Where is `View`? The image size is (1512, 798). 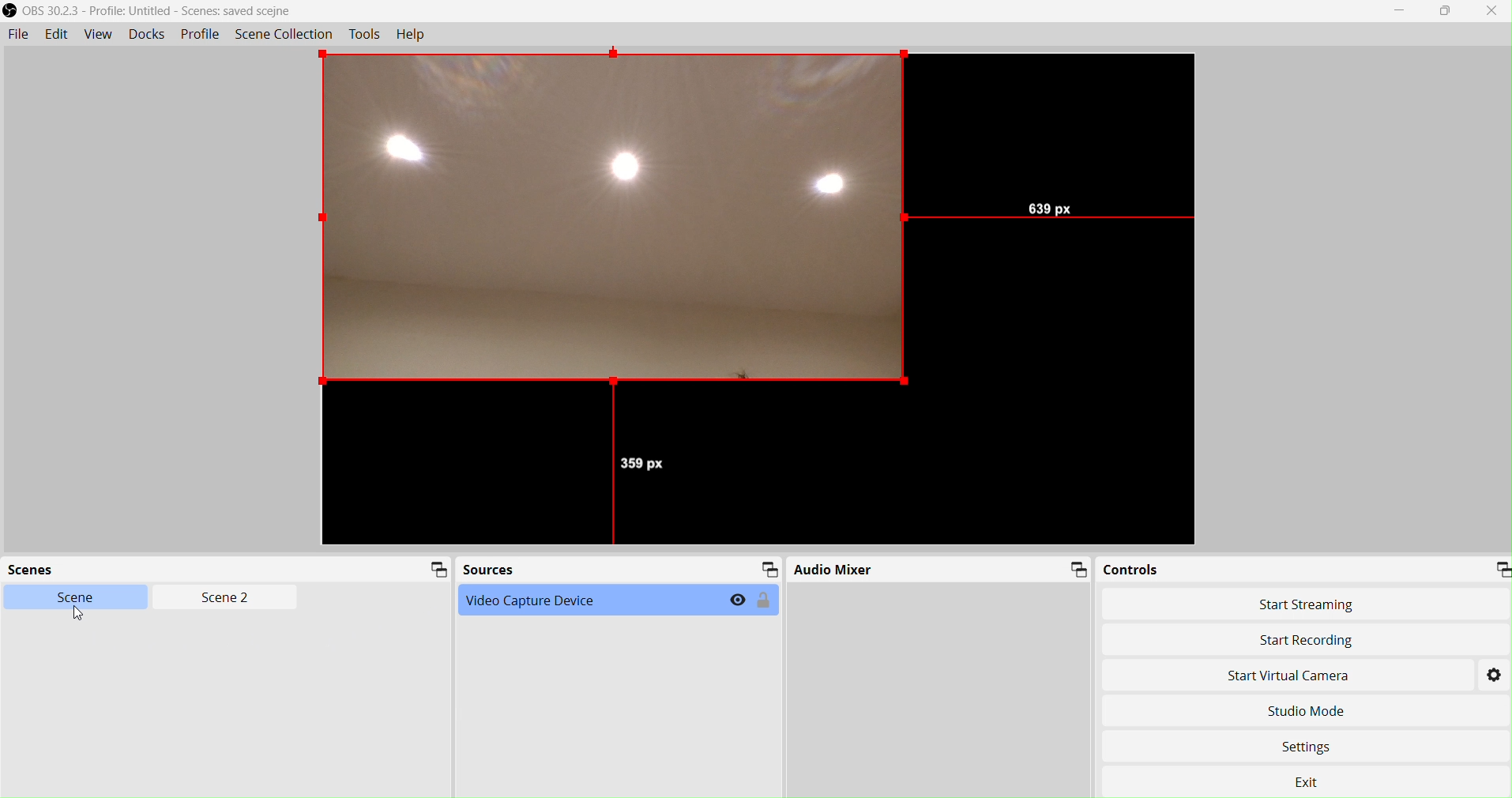
View is located at coordinates (99, 35).